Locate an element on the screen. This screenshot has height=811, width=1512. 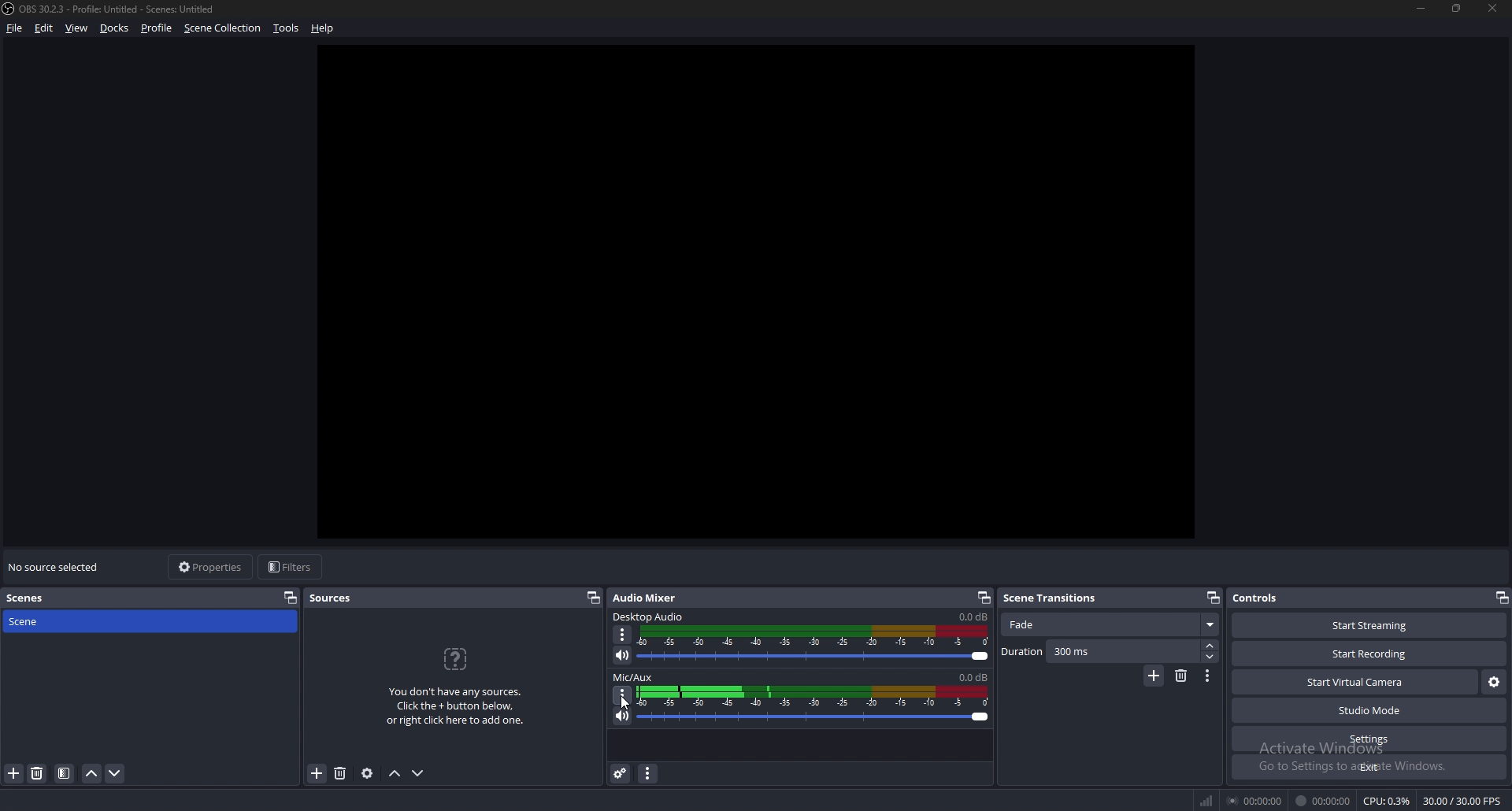
file is located at coordinates (14, 28).